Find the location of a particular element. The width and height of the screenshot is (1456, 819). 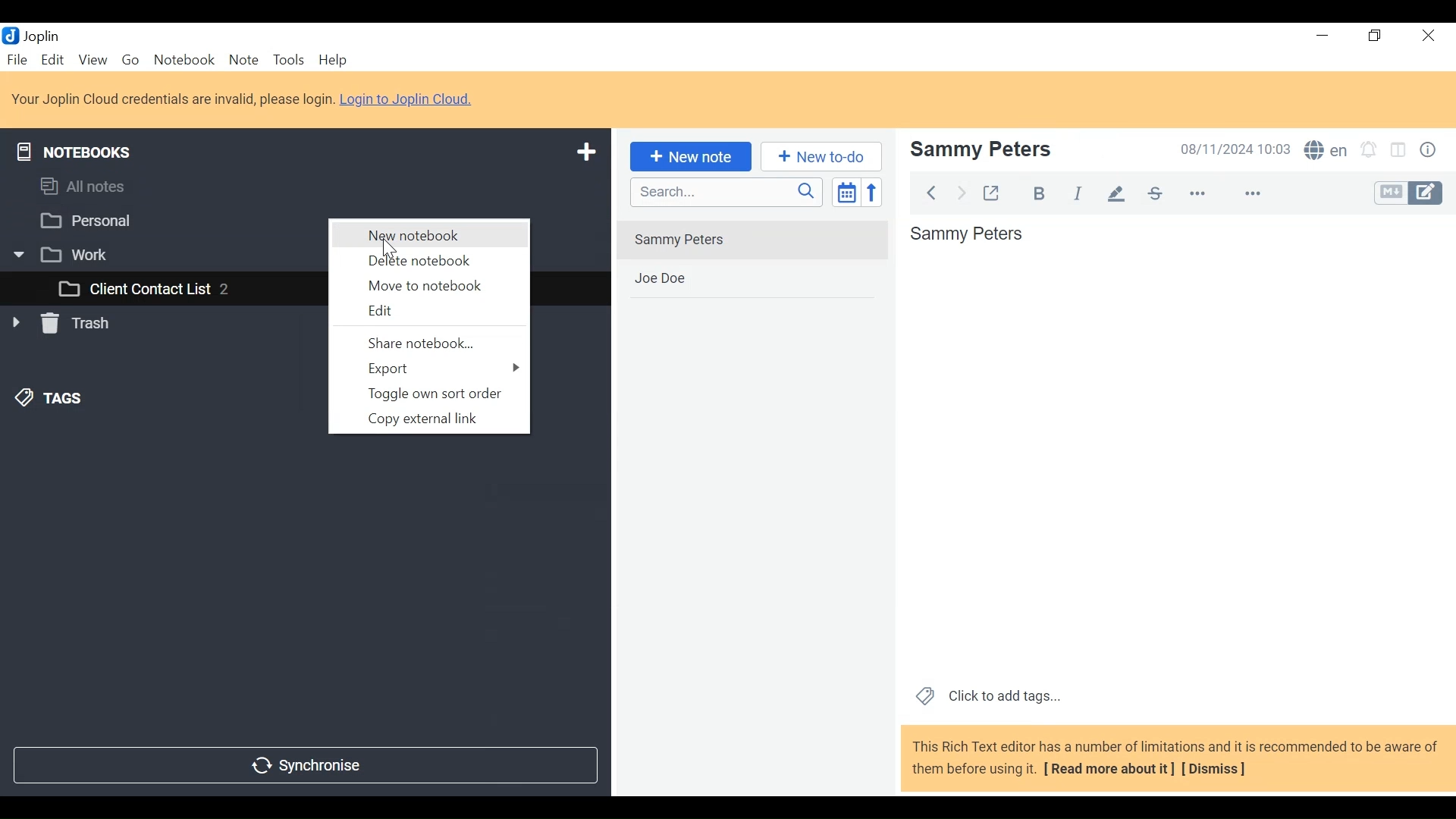

Notebook is located at coordinates (184, 61).